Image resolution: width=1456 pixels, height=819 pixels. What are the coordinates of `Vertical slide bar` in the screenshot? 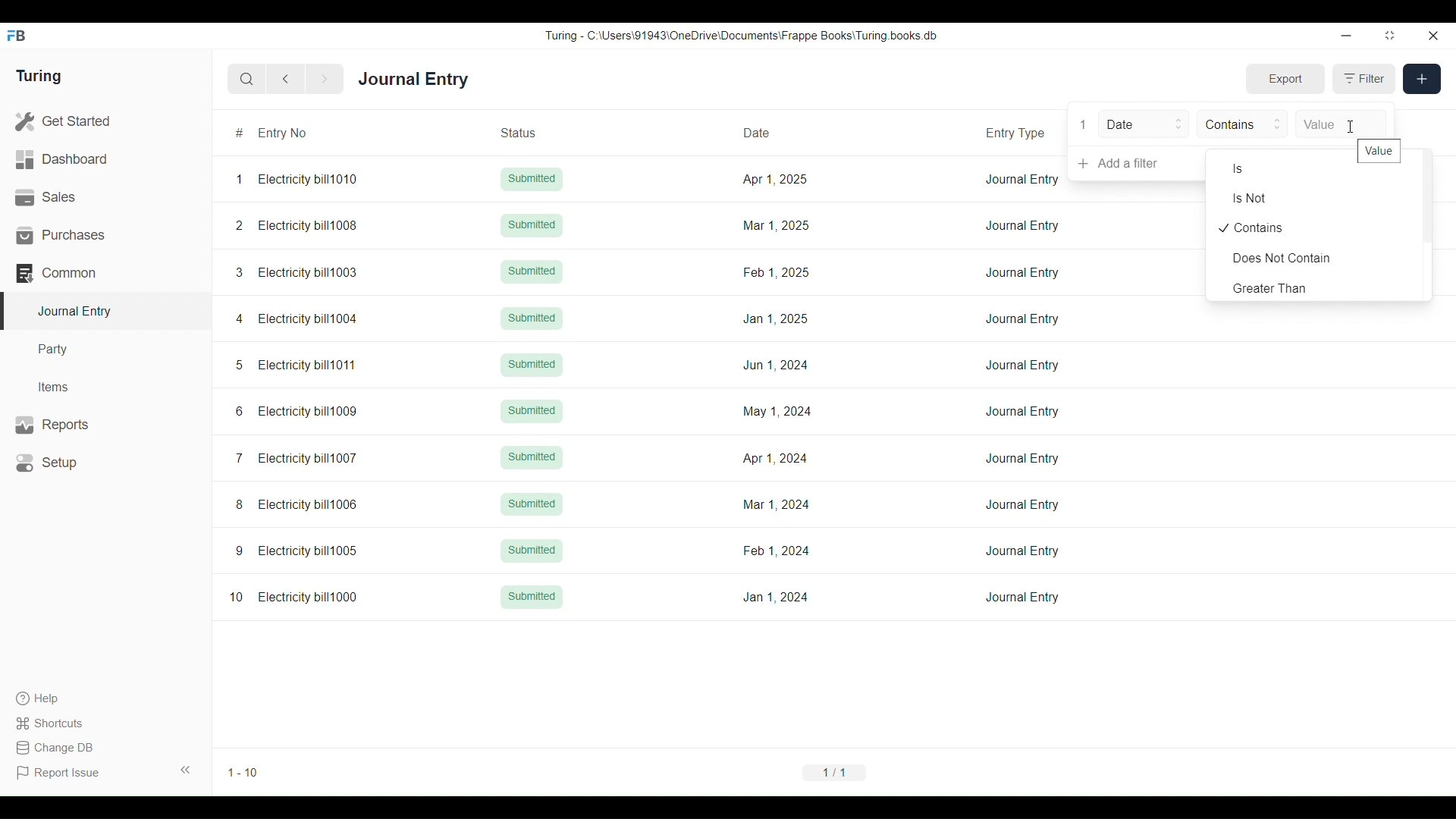 It's located at (1427, 224).